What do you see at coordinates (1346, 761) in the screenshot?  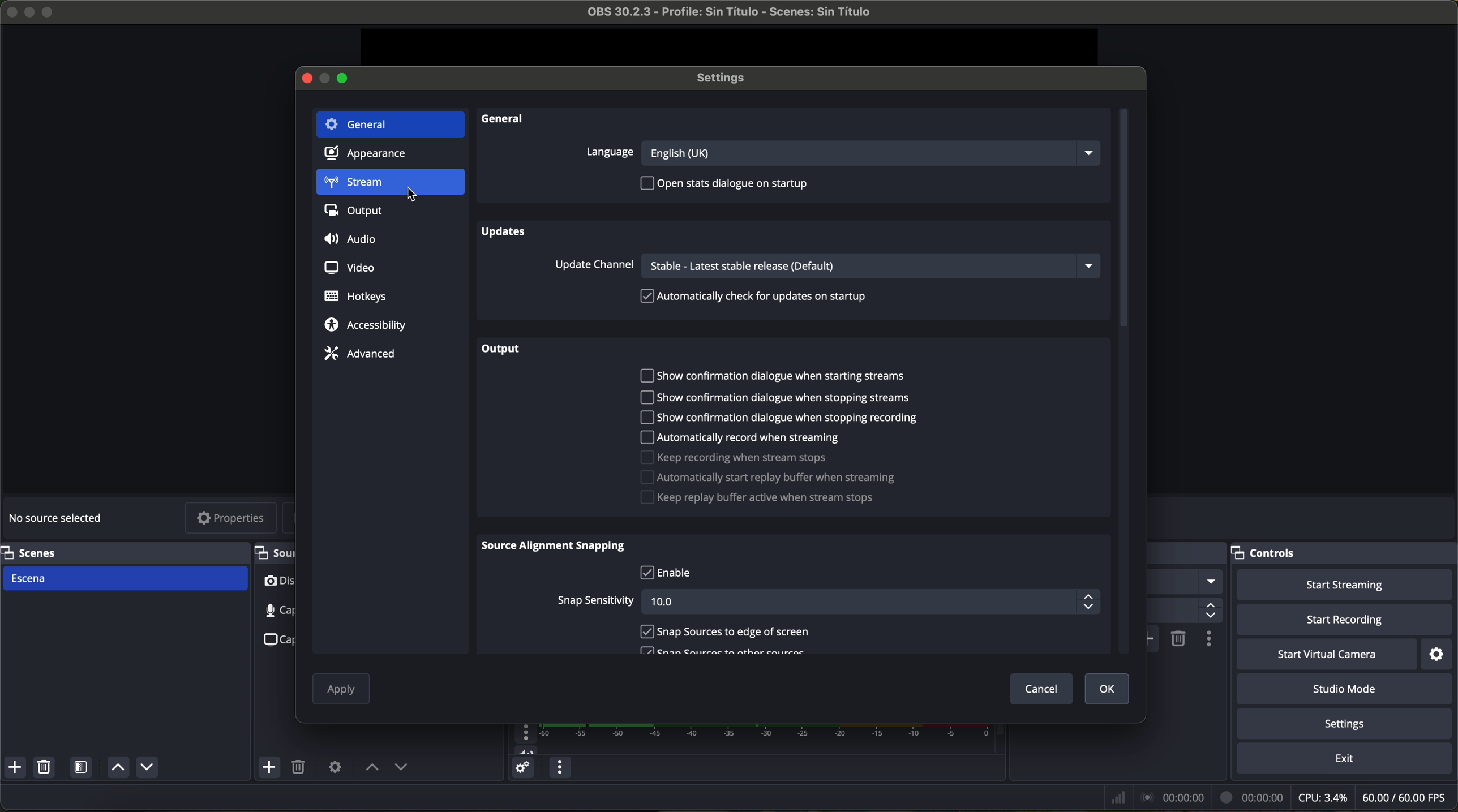 I see `exit` at bounding box center [1346, 761].